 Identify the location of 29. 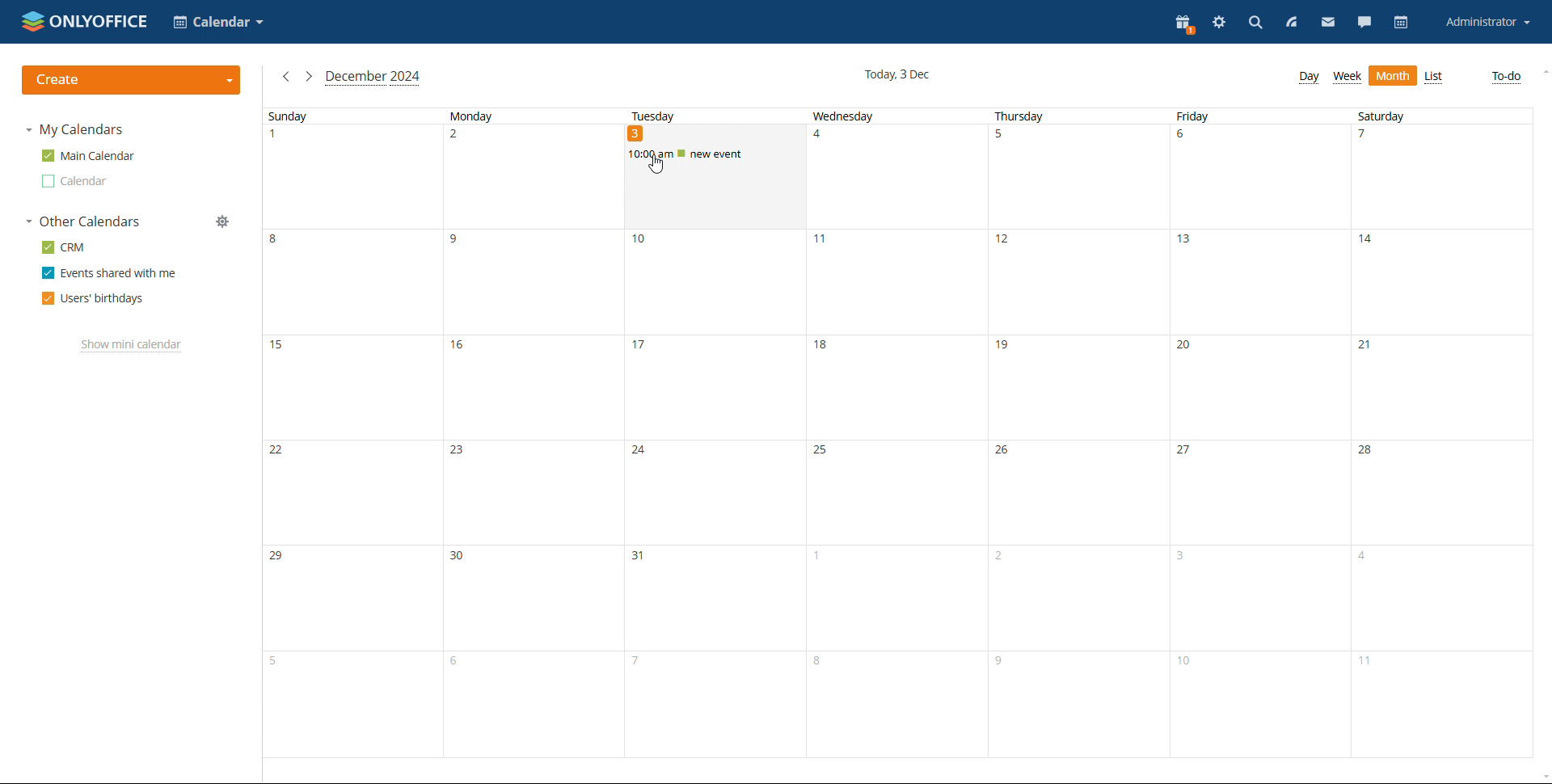
(352, 599).